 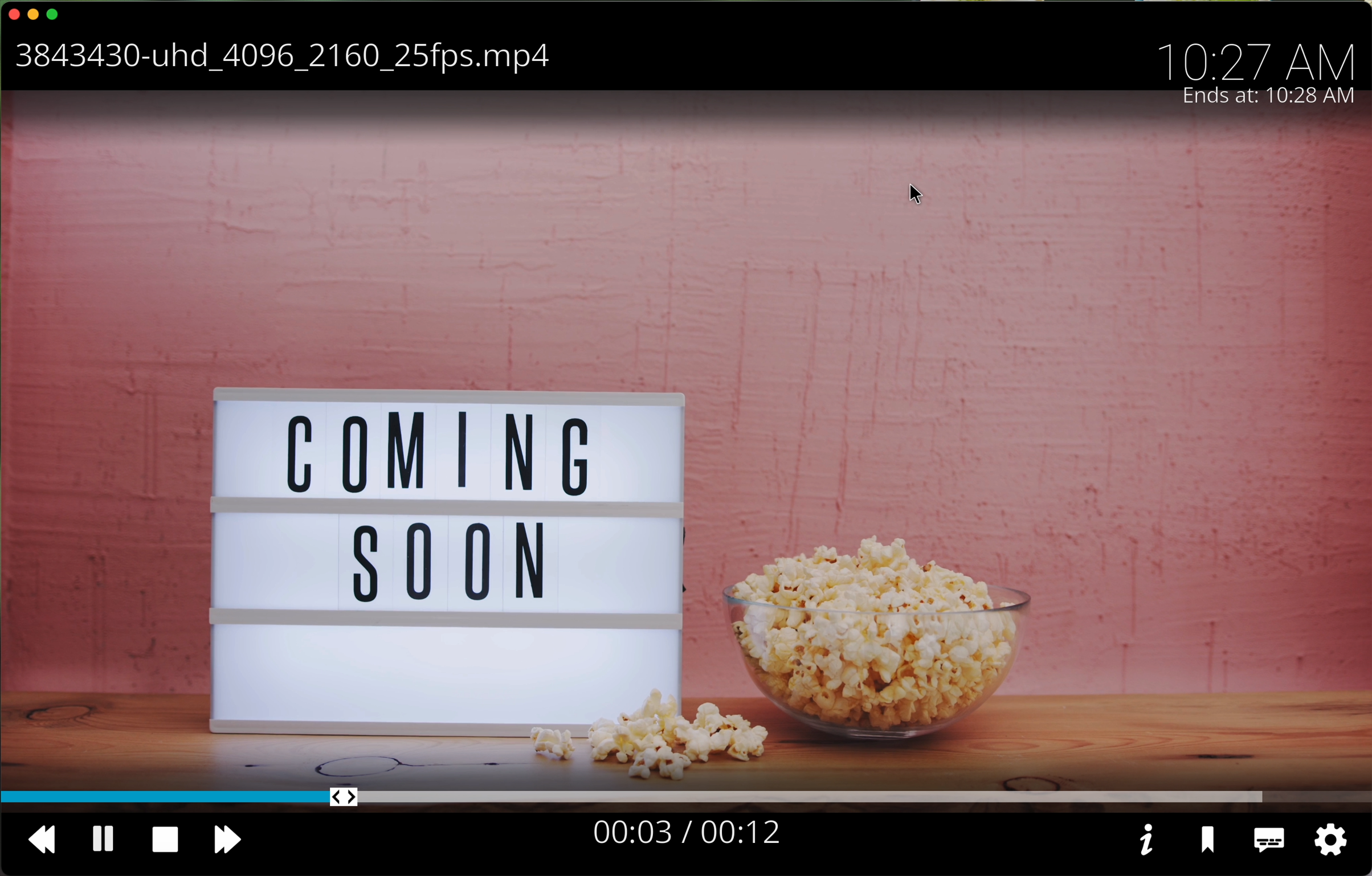 I want to click on fast foward, so click(x=238, y=838).